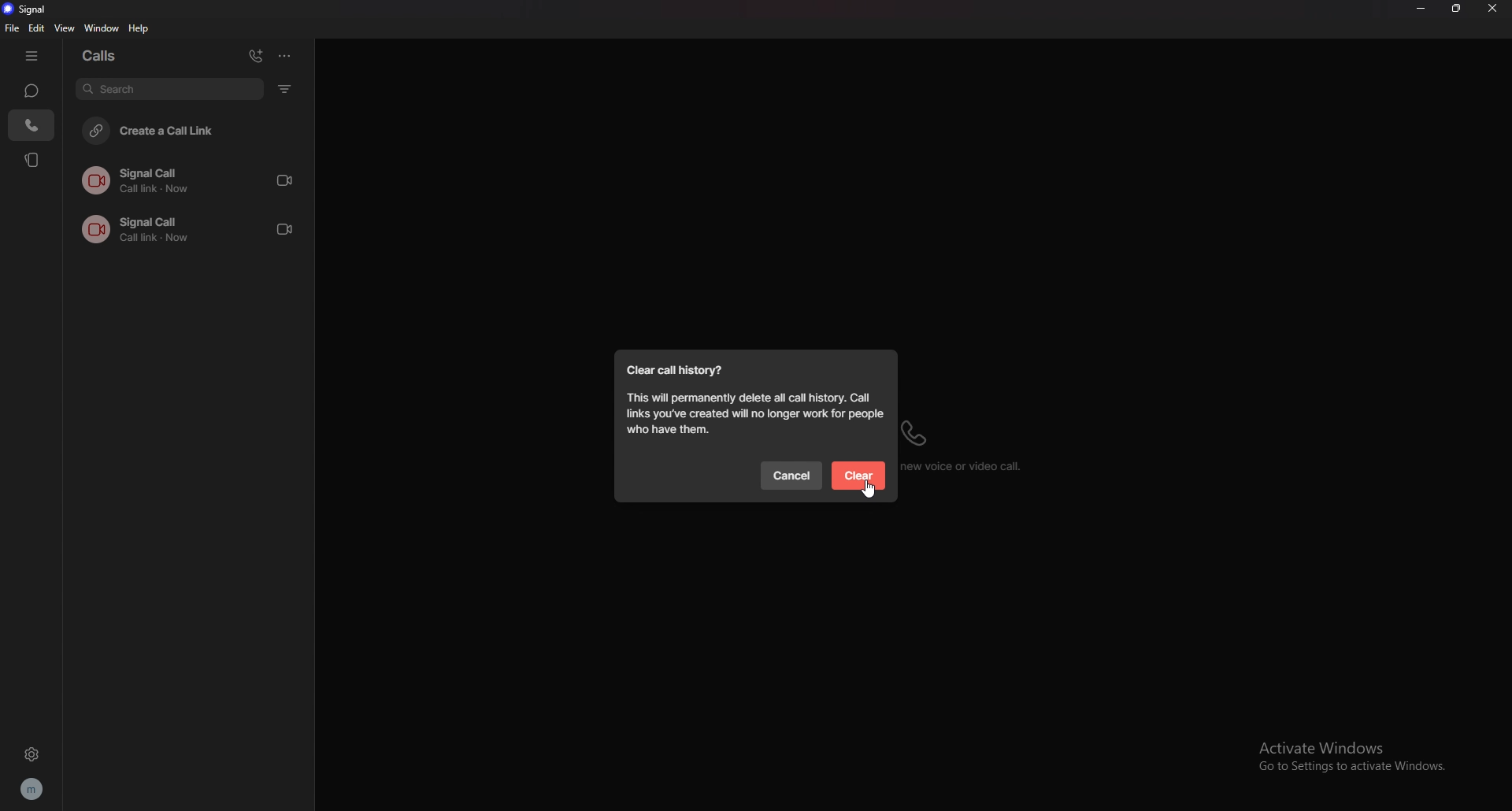 Image resolution: width=1512 pixels, height=811 pixels. Describe the element at coordinates (37, 8) in the screenshot. I see `signal` at that location.